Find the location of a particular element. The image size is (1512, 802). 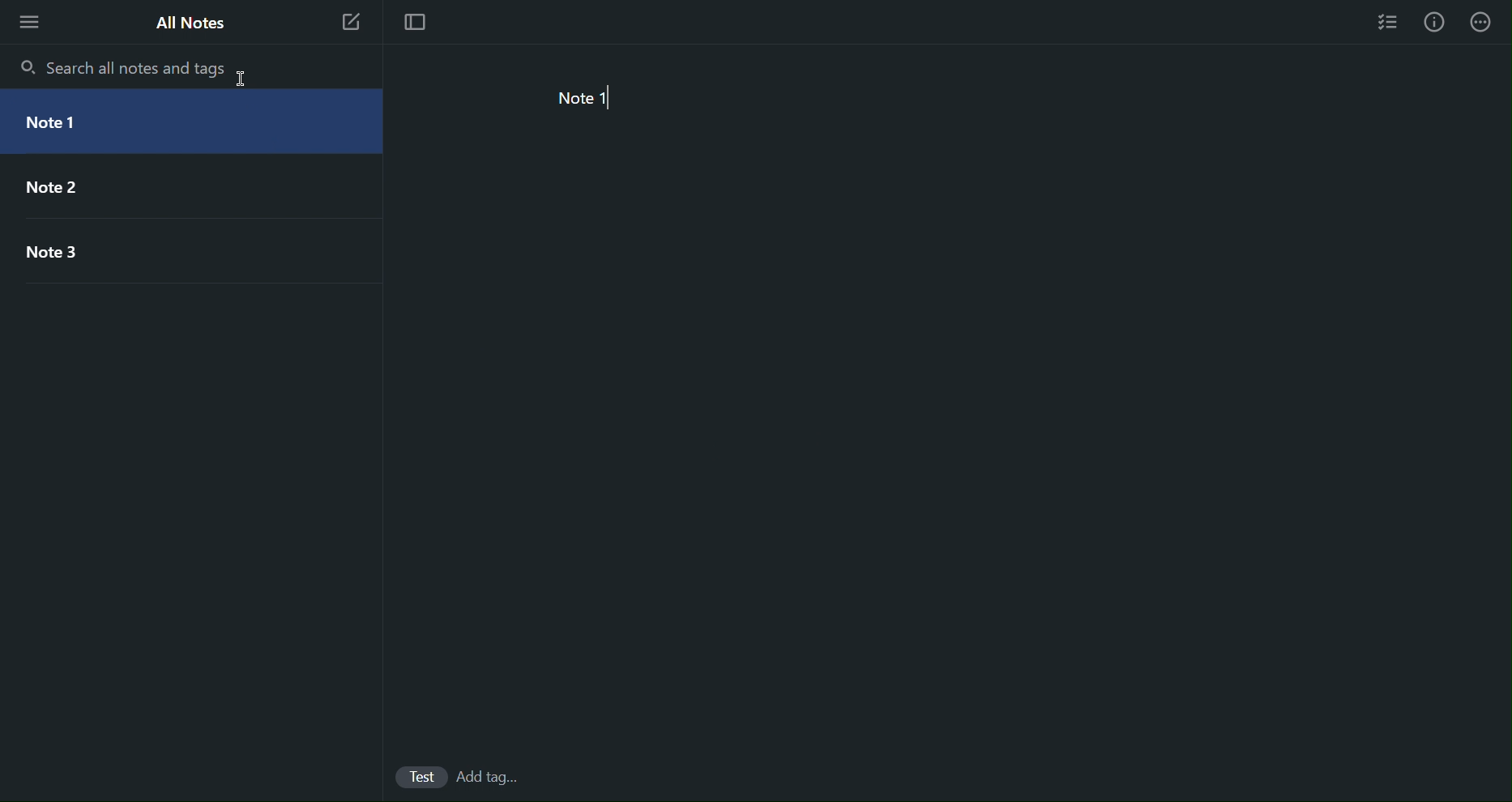

Note 1 is located at coordinates (601, 100).